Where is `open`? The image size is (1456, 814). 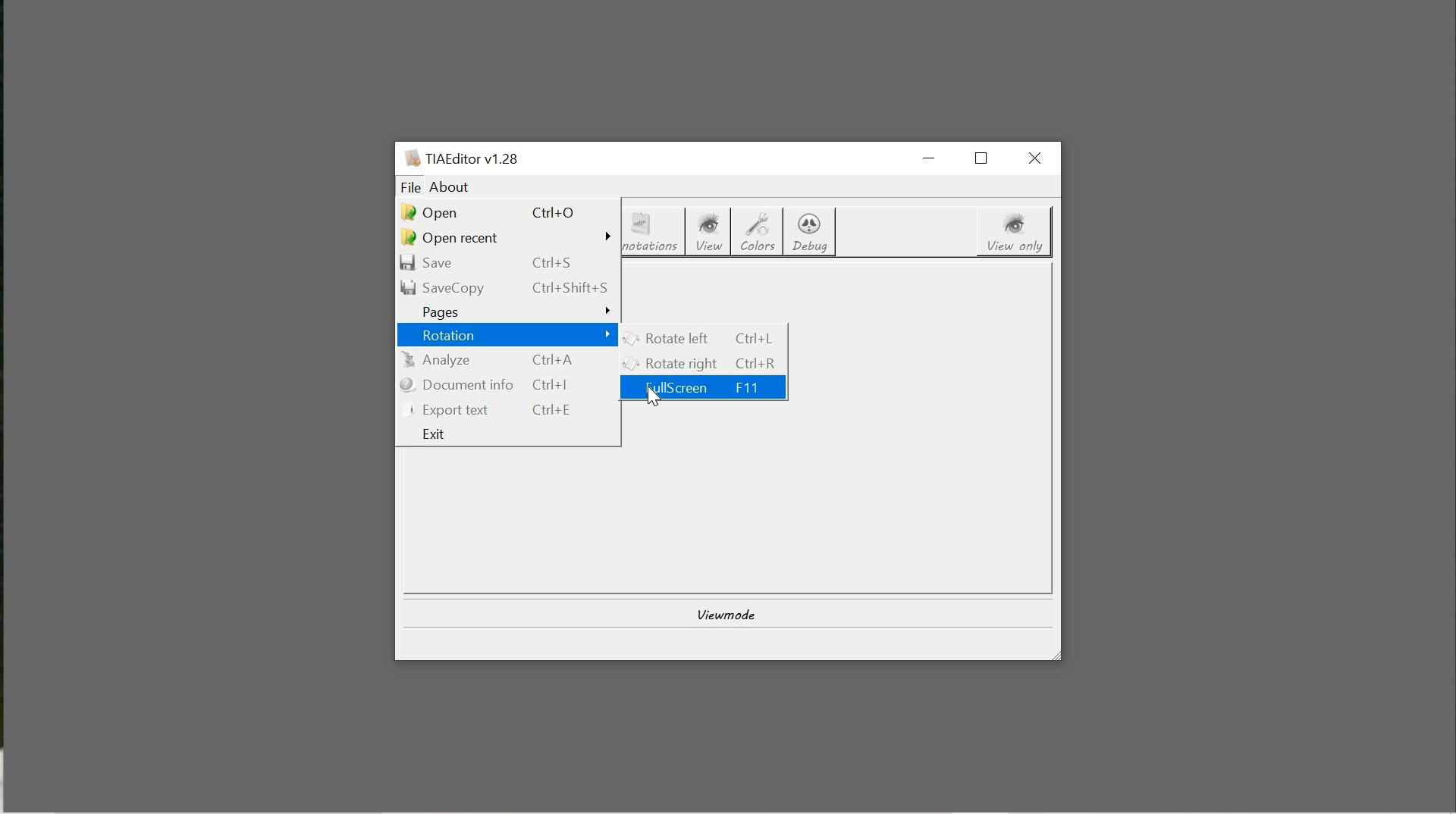
open is located at coordinates (501, 210).